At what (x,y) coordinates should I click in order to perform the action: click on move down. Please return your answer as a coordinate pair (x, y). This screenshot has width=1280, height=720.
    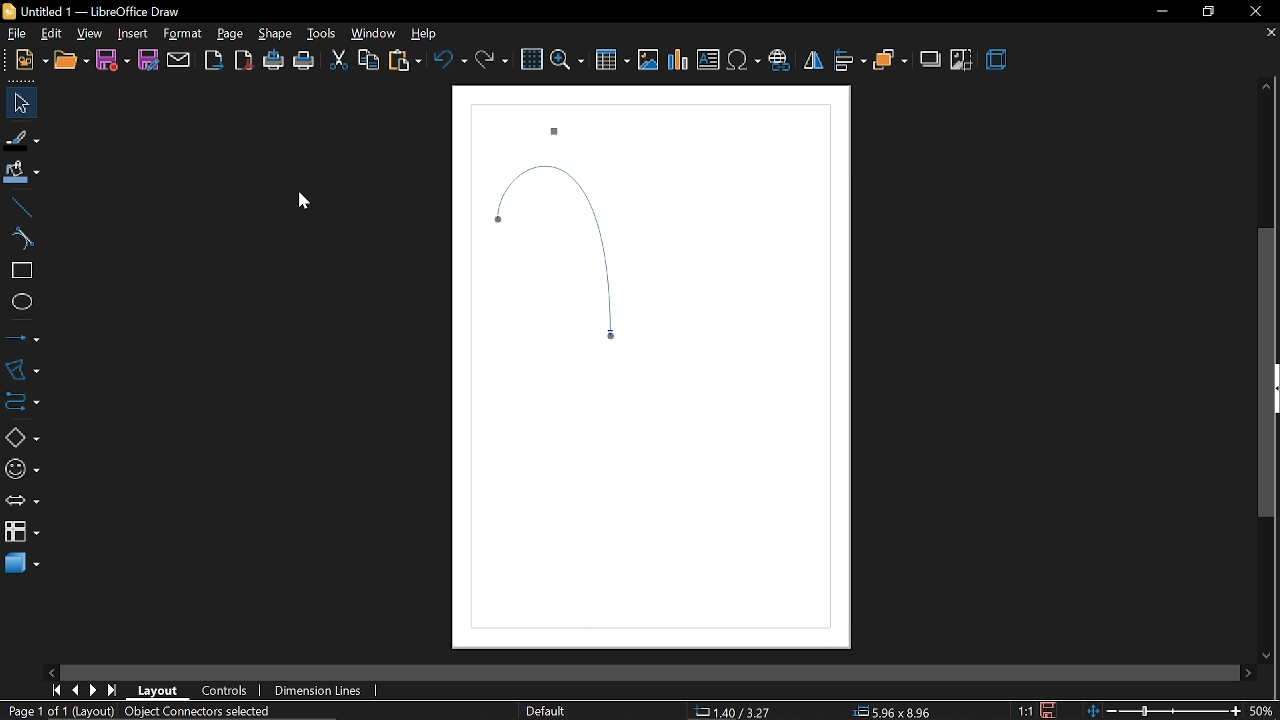
    Looking at the image, I should click on (1269, 653).